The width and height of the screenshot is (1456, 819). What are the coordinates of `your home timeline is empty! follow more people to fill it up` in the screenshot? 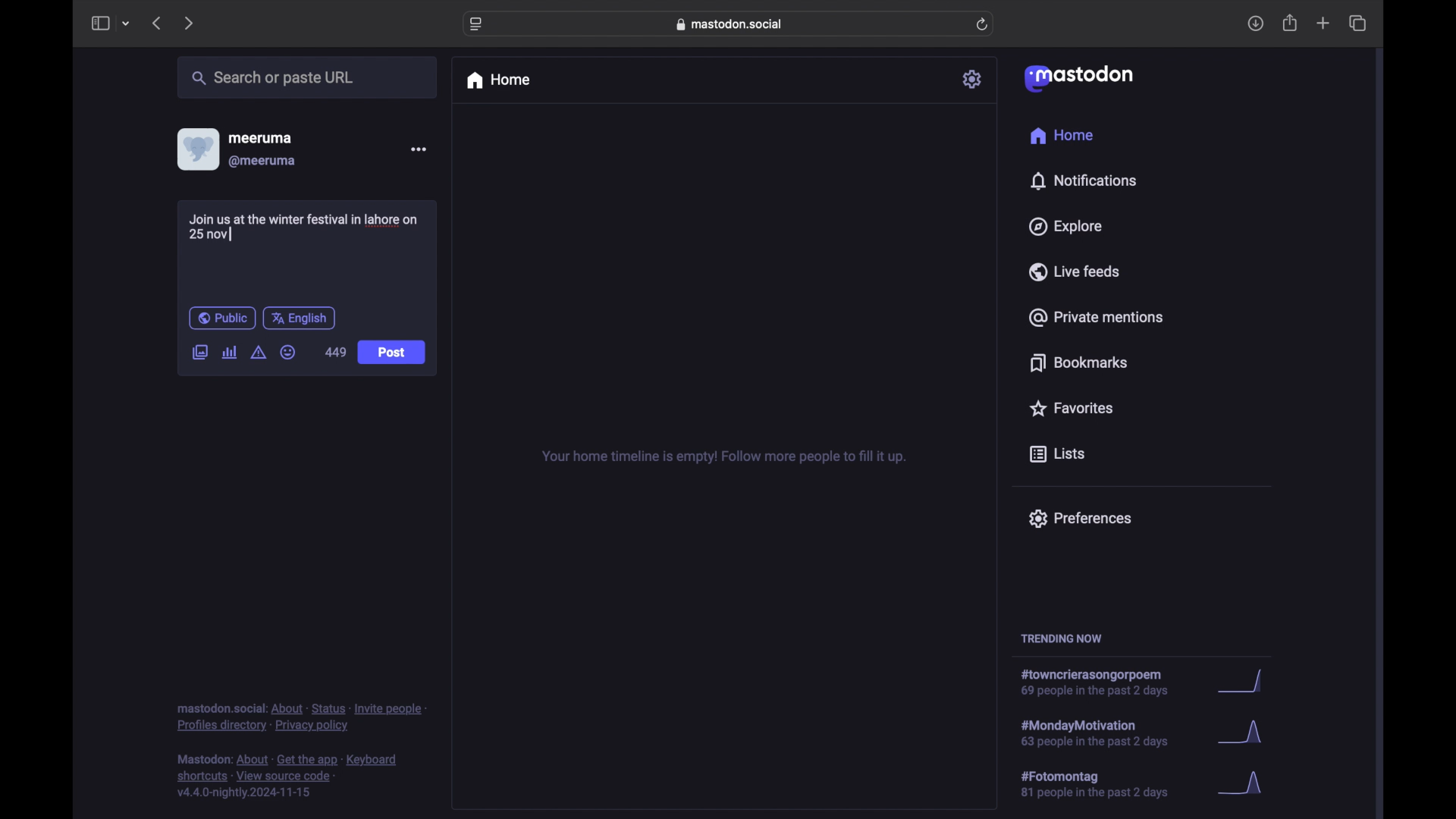 It's located at (723, 457).